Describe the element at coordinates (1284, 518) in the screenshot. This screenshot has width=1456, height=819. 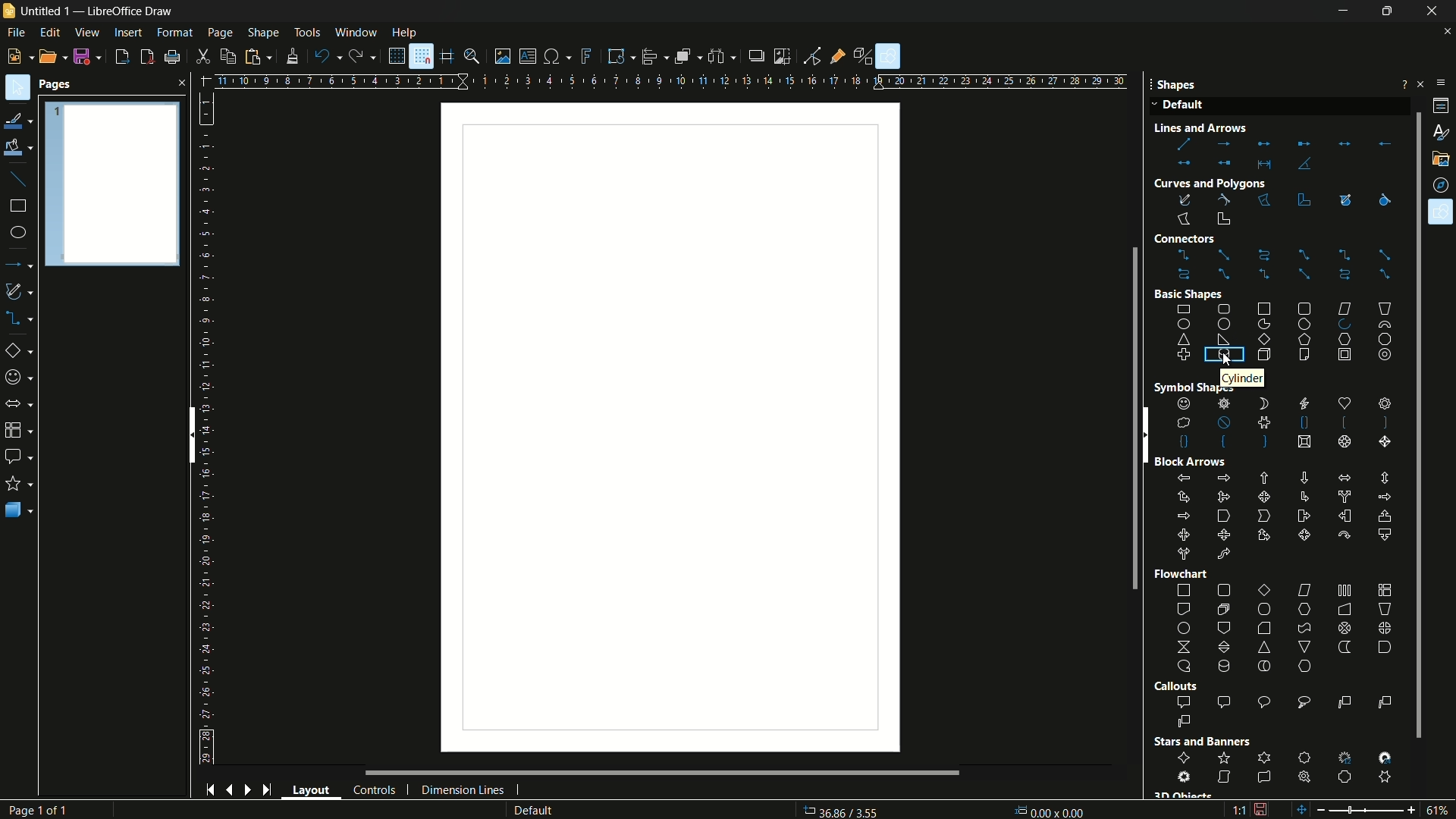
I see `block arrows` at that location.